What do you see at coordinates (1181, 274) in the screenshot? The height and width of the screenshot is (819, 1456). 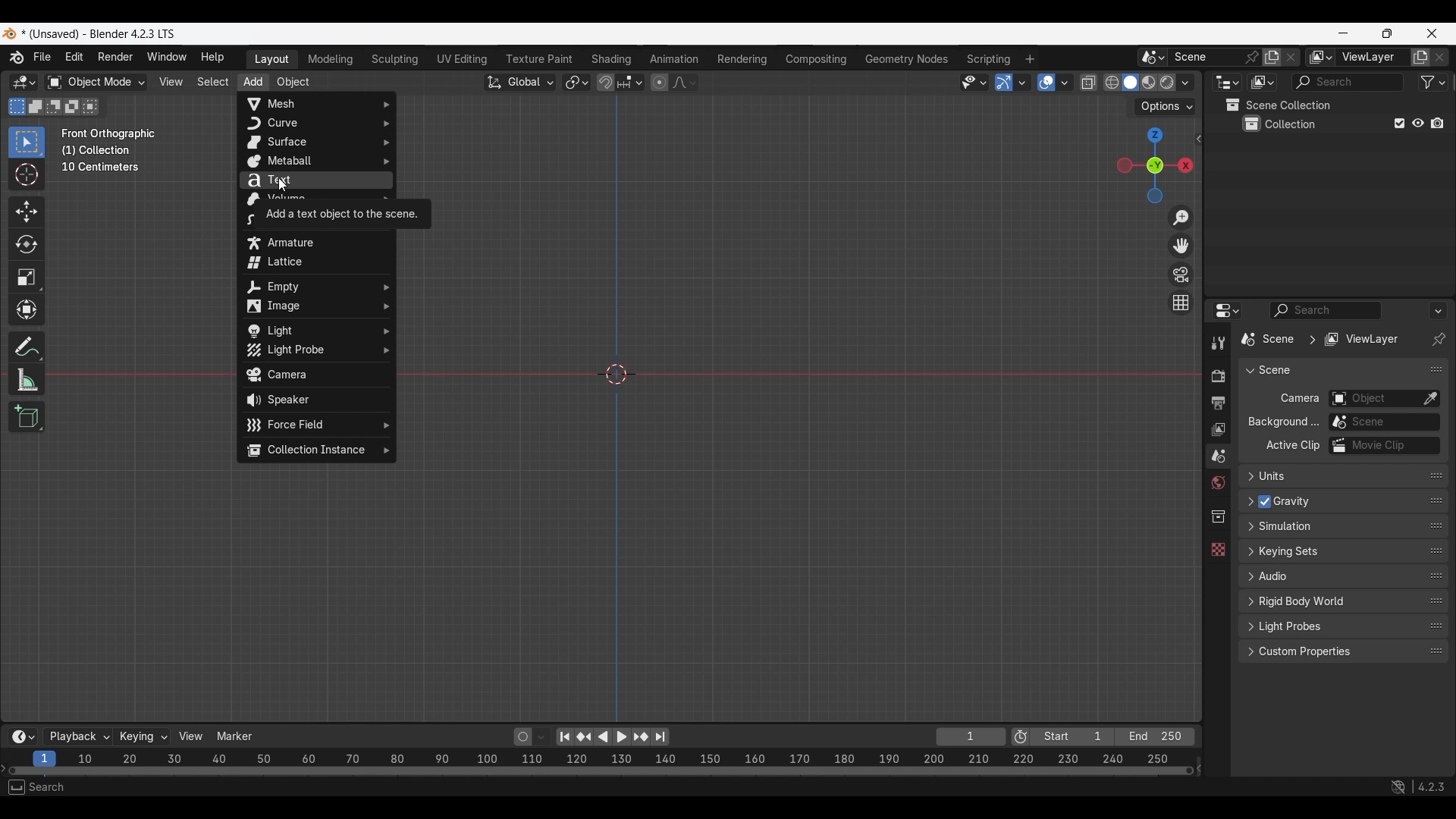 I see `Toggle camera view` at bounding box center [1181, 274].